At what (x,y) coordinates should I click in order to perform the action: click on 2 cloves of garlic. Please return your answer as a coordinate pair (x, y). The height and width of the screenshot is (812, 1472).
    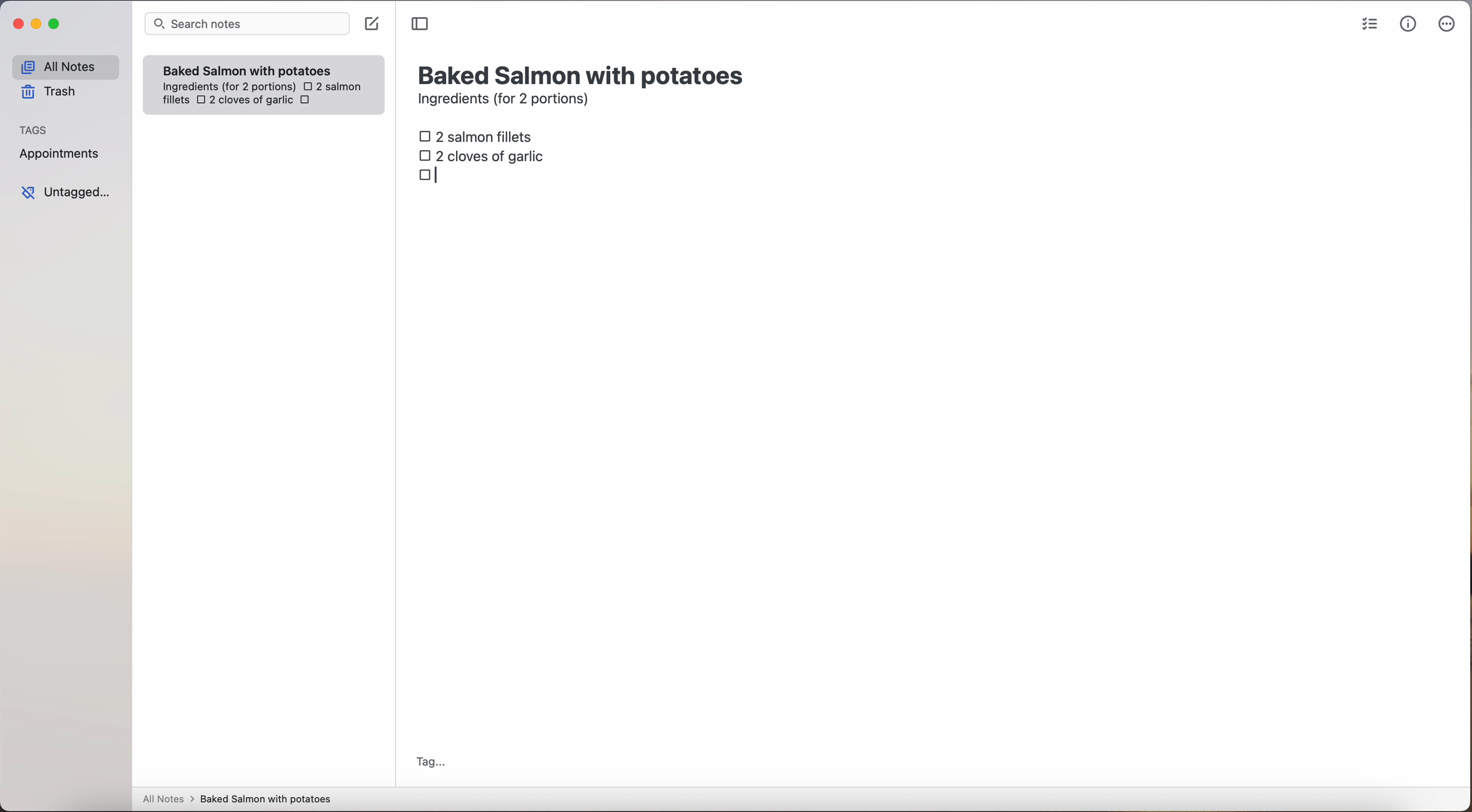
    Looking at the image, I should click on (245, 101).